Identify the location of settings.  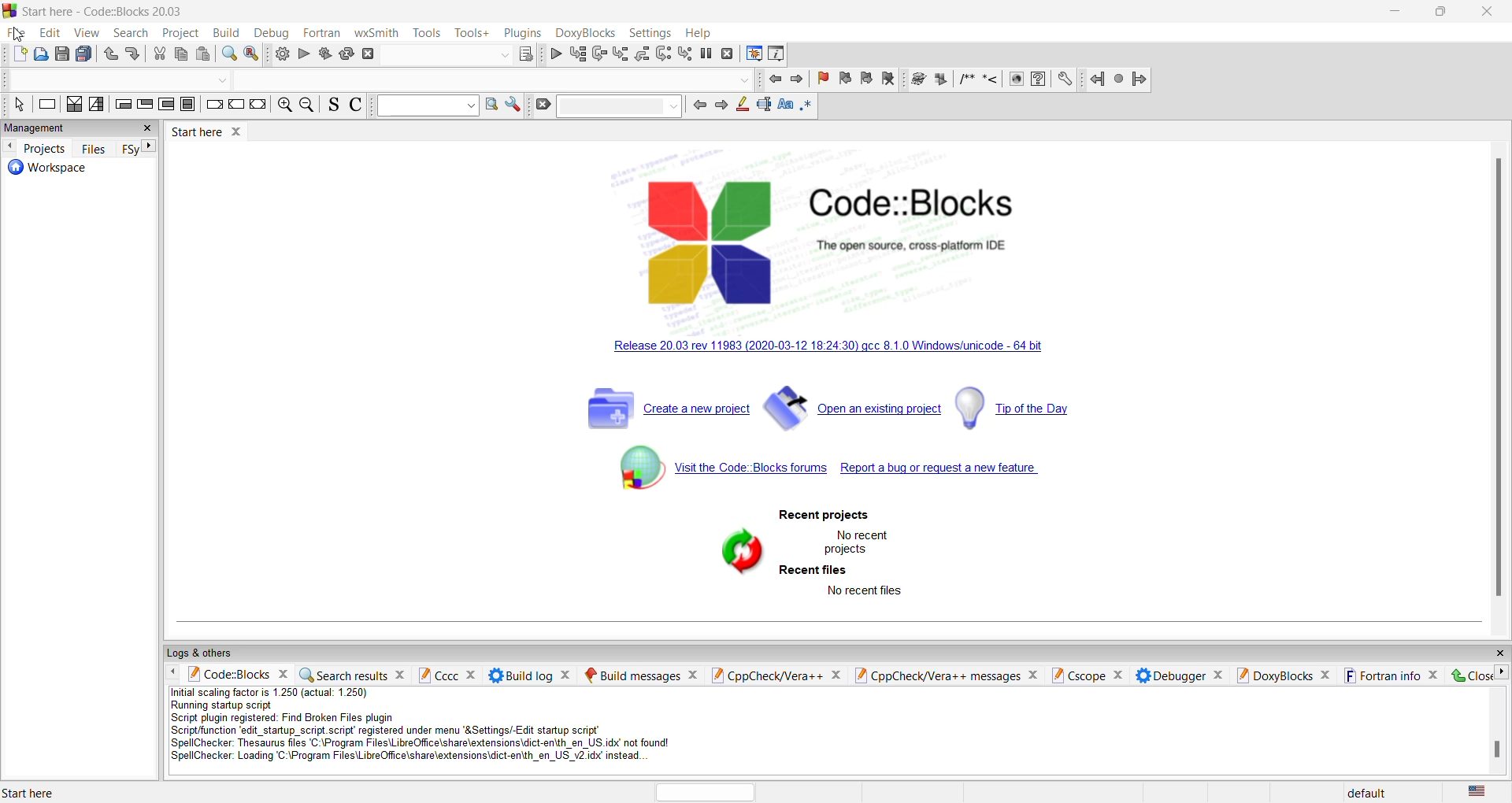
(513, 104).